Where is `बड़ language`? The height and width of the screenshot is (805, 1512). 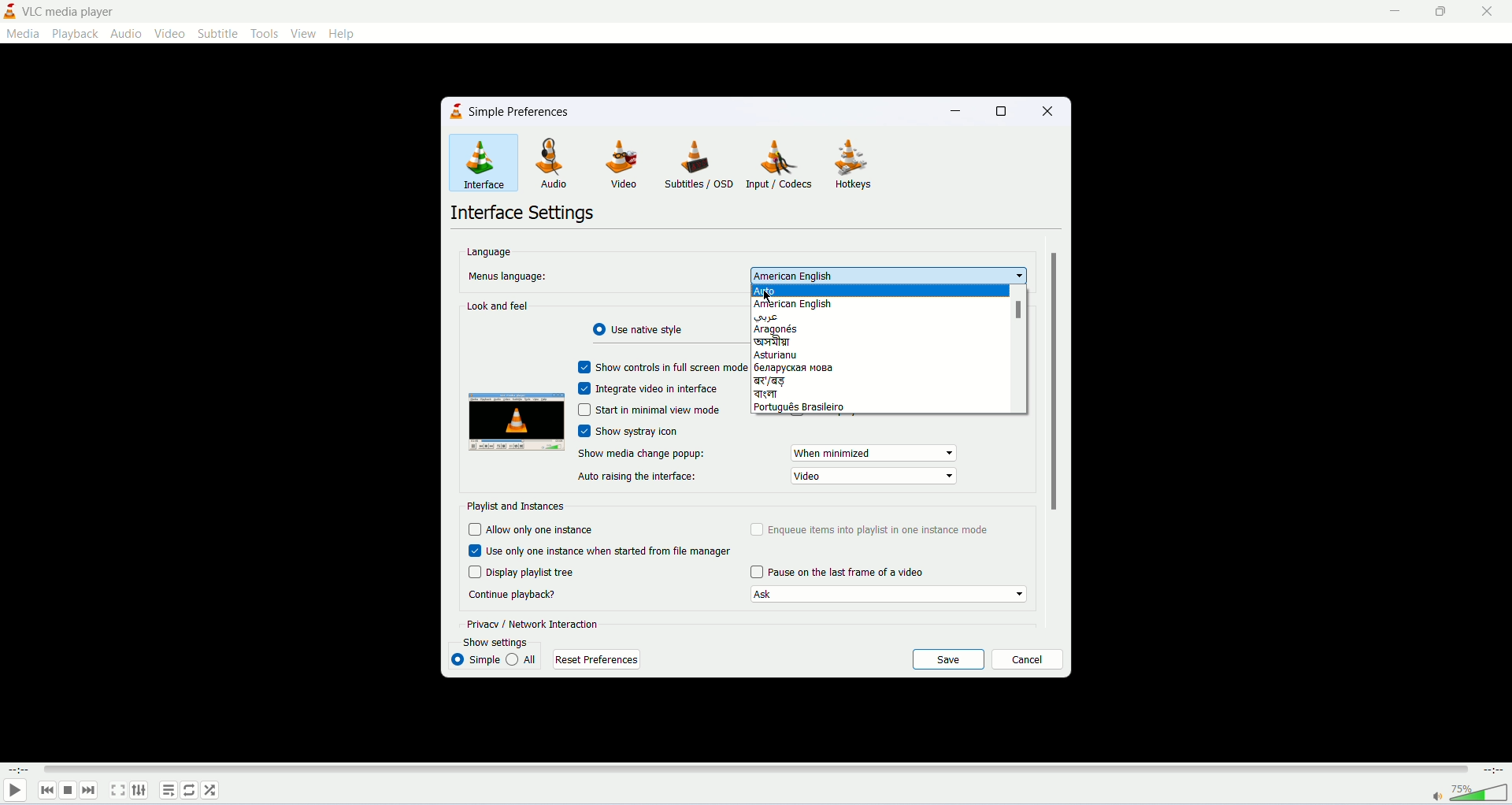 बड़ language is located at coordinates (880, 380).